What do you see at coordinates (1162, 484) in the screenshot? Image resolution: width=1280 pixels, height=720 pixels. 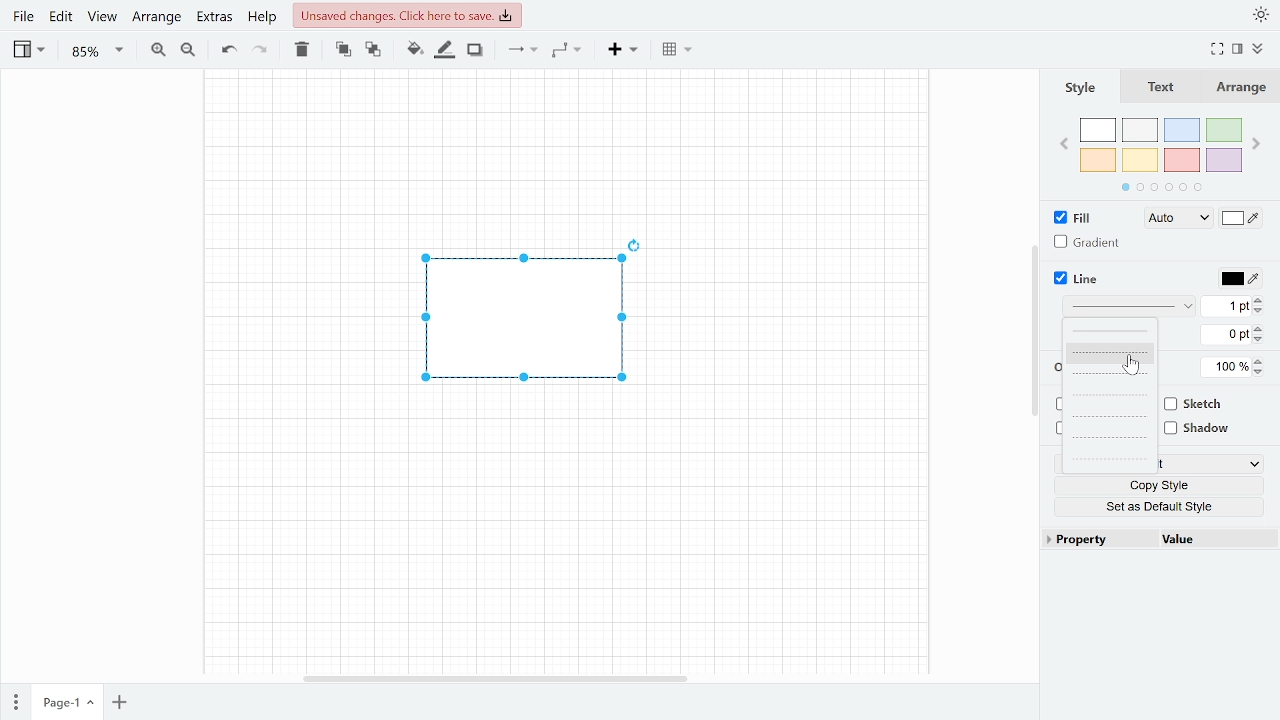 I see `Copy style` at bounding box center [1162, 484].